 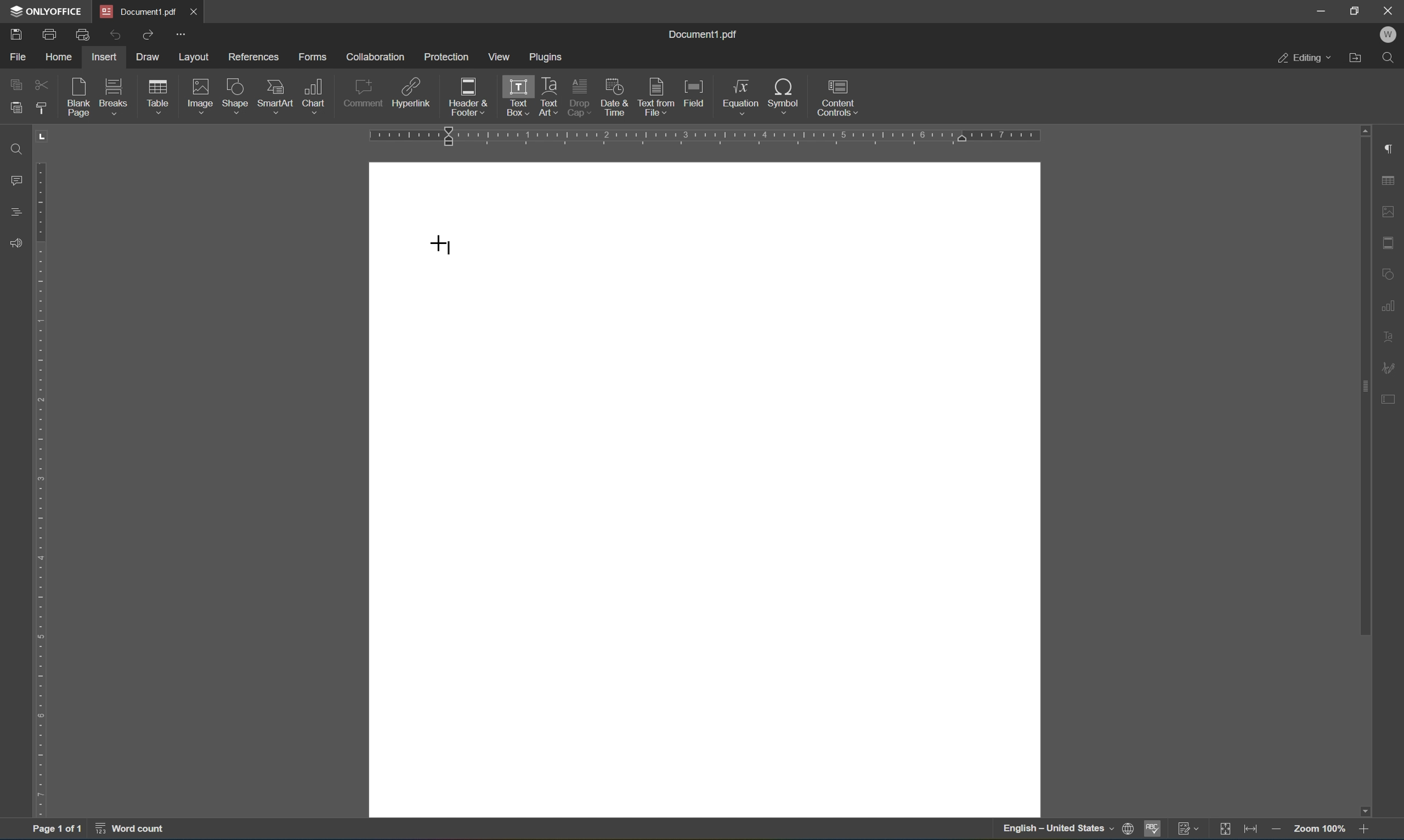 What do you see at coordinates (195, 11) in the screenshot?
I see `Close` at bounding box center [195, 11].